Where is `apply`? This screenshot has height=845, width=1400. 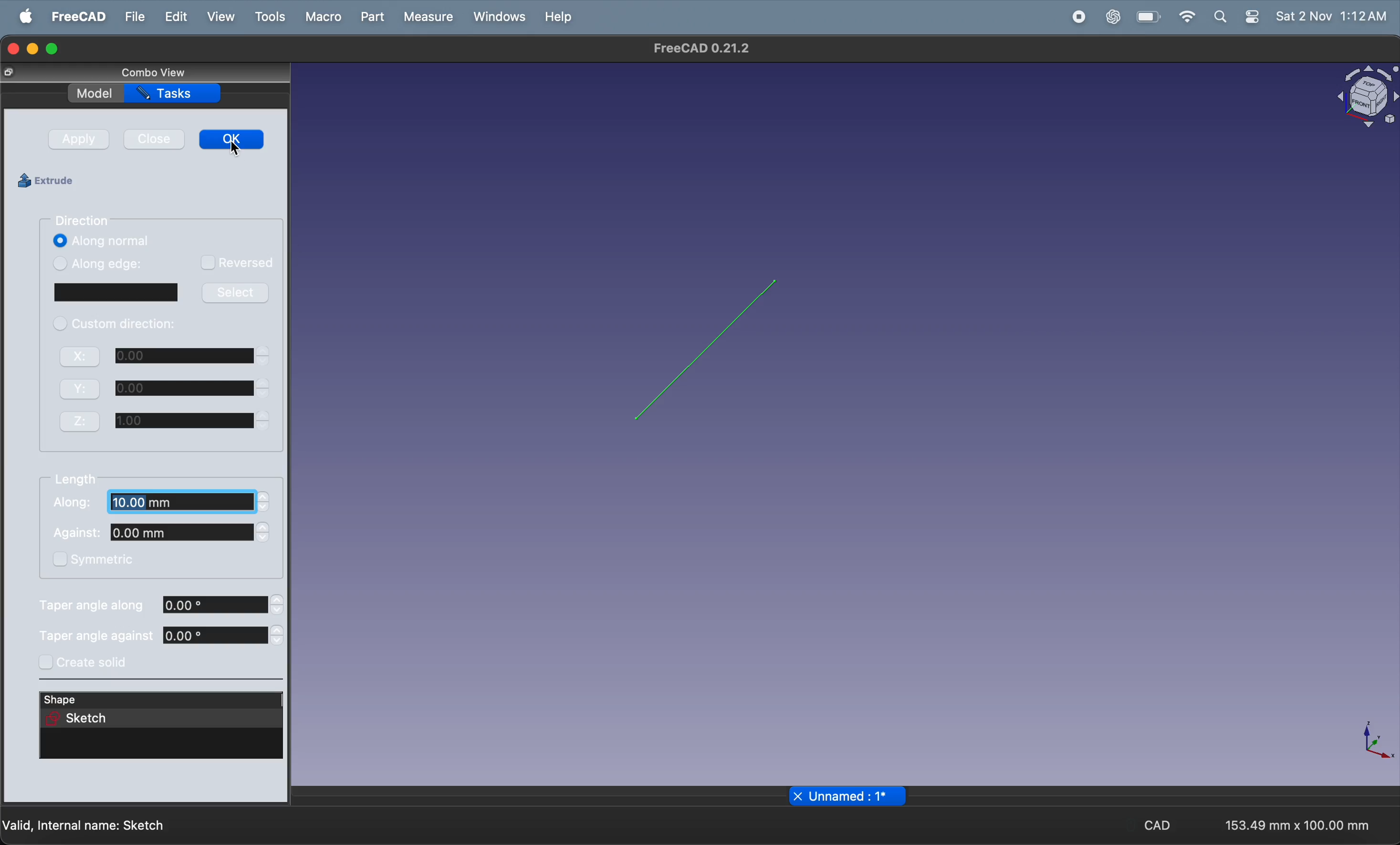
apply is located at coordinates (80, 138).